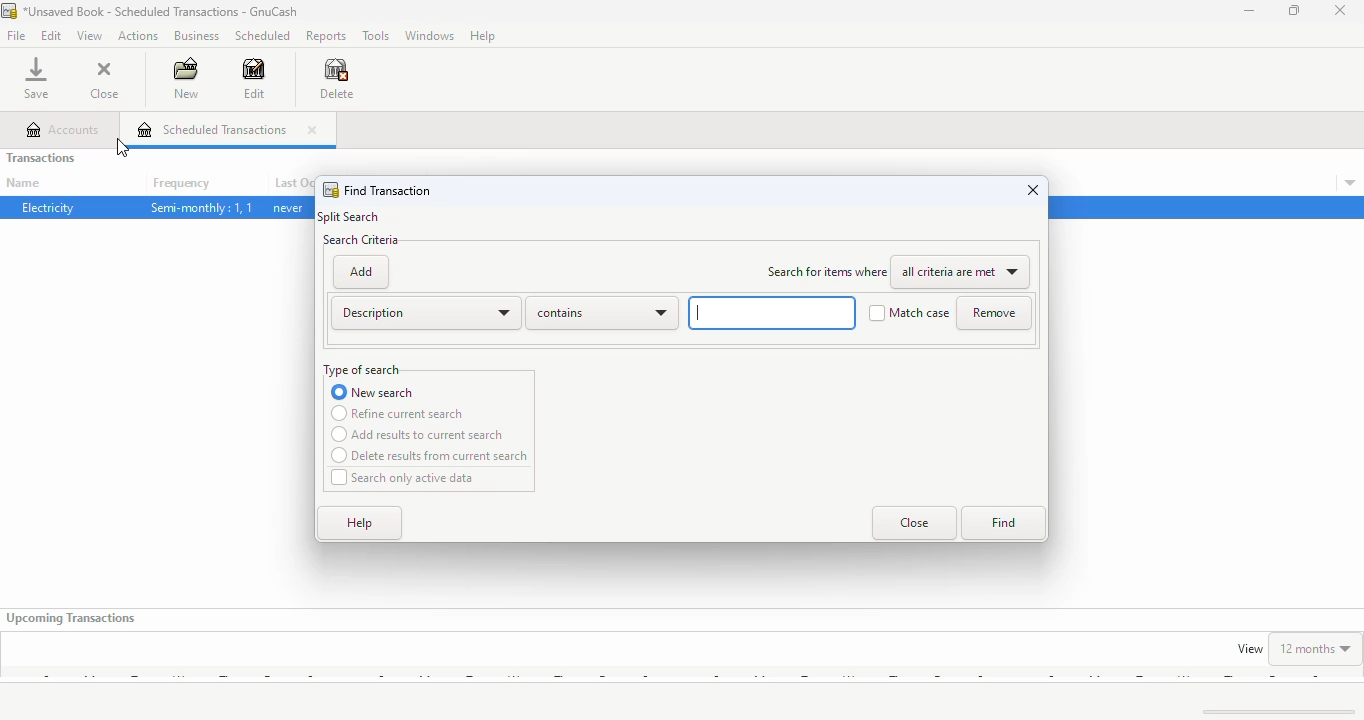  I want to click on never, so click(288, 208).